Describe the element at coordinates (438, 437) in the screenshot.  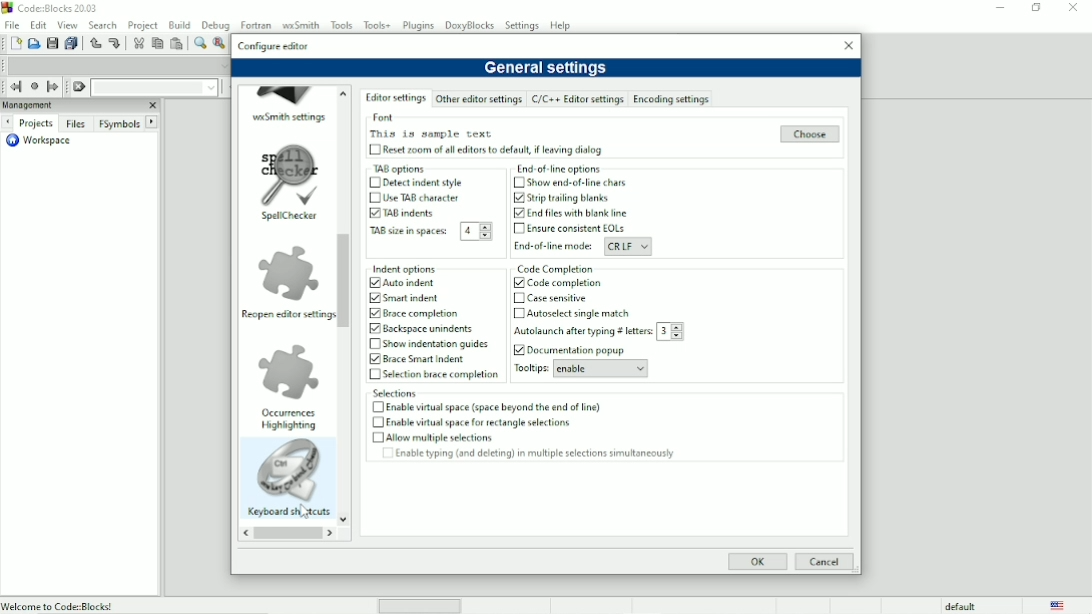
I see `Allow multiple selections` at that location.